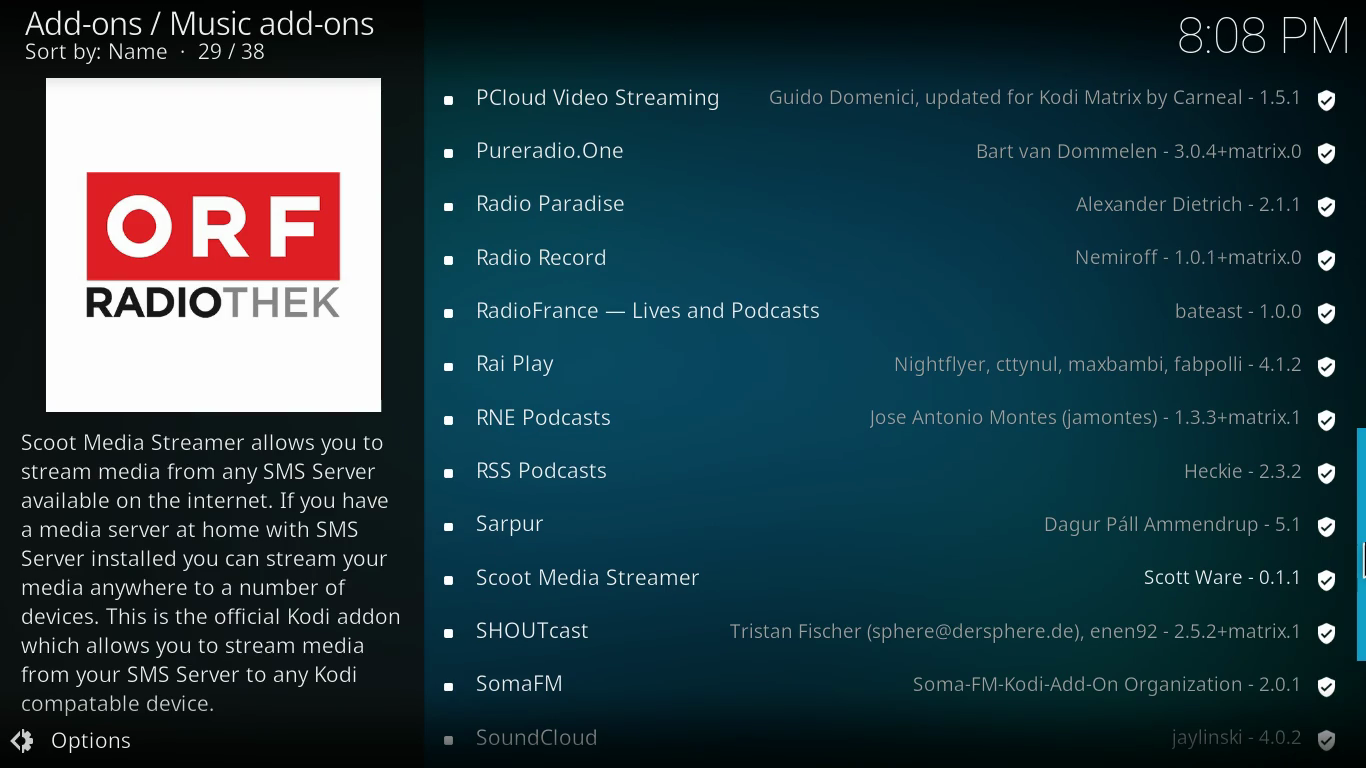 This screenshot has width=1366, height=768. I want to click on add-on, so click(544, 420).